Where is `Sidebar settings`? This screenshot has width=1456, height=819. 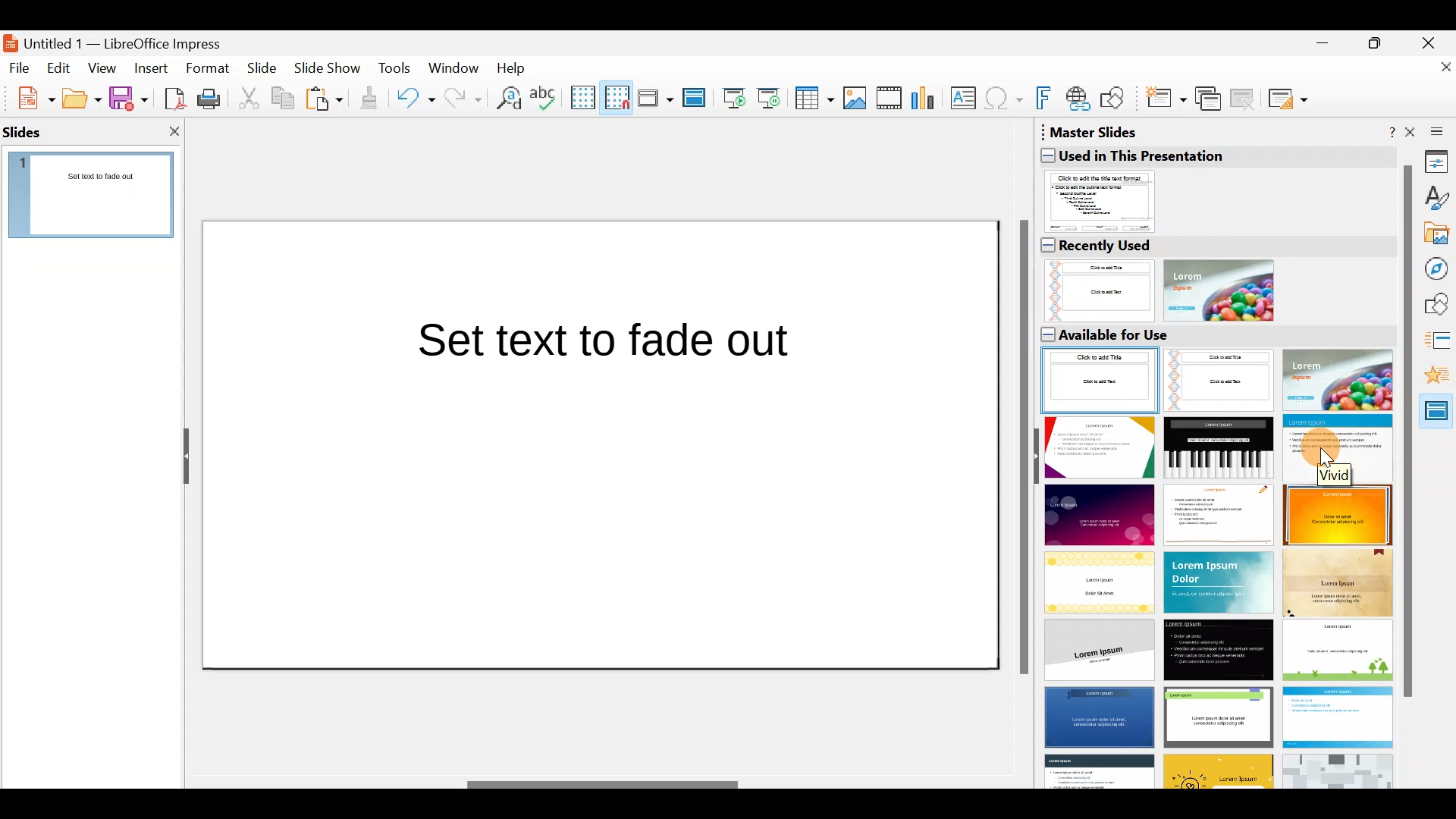
Sidebar settings is located at coordinates (1434, 130).